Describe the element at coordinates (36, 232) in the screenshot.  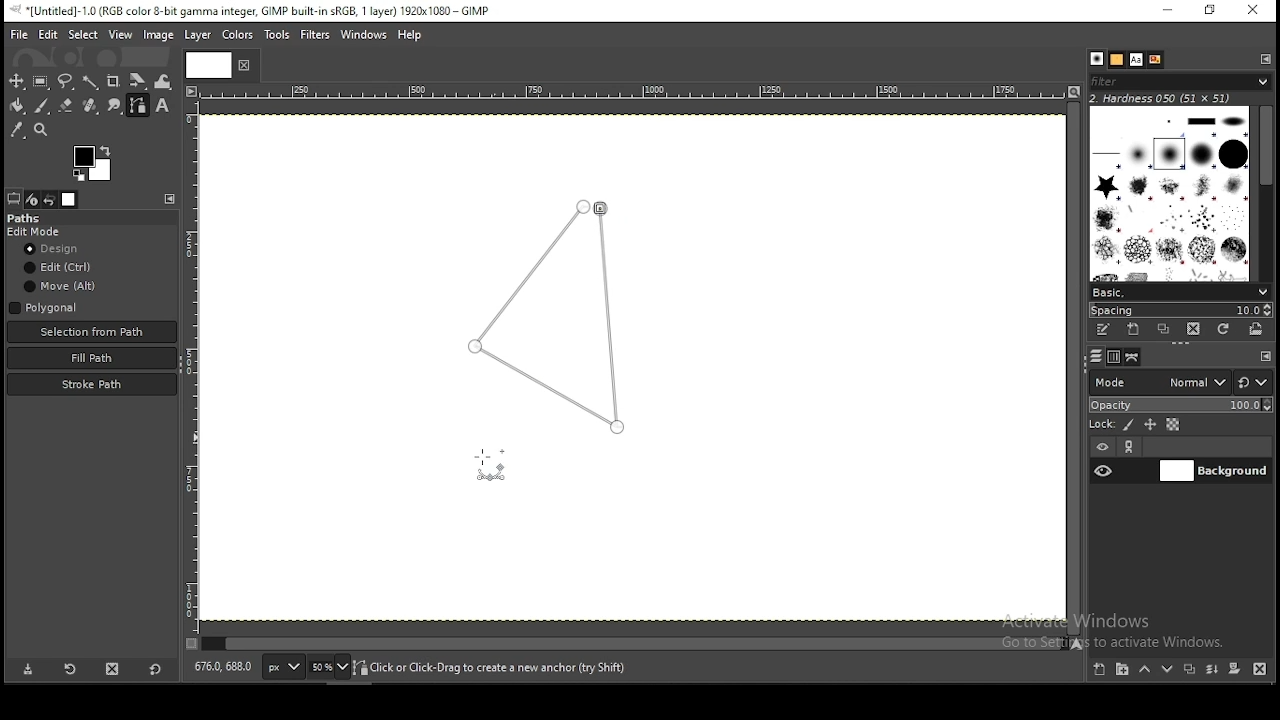
I see `edit mode` at that location.